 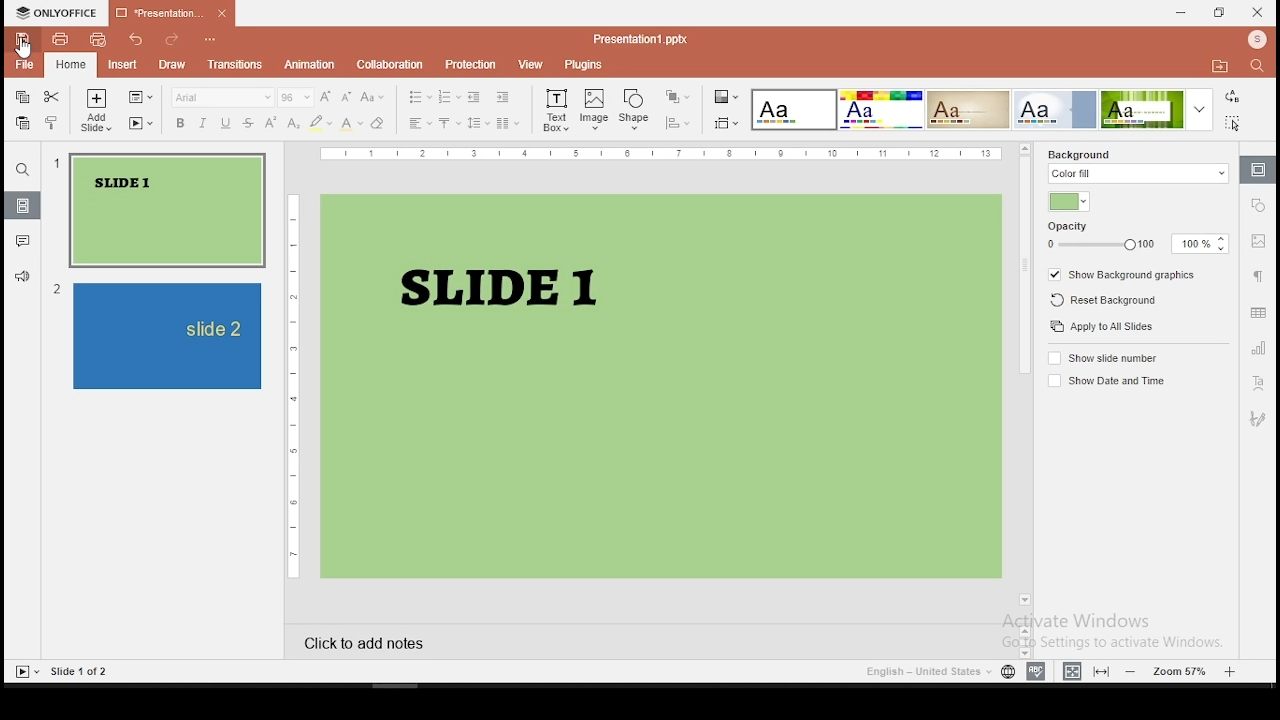 I want to click on animations, so click(x=312, y=64).